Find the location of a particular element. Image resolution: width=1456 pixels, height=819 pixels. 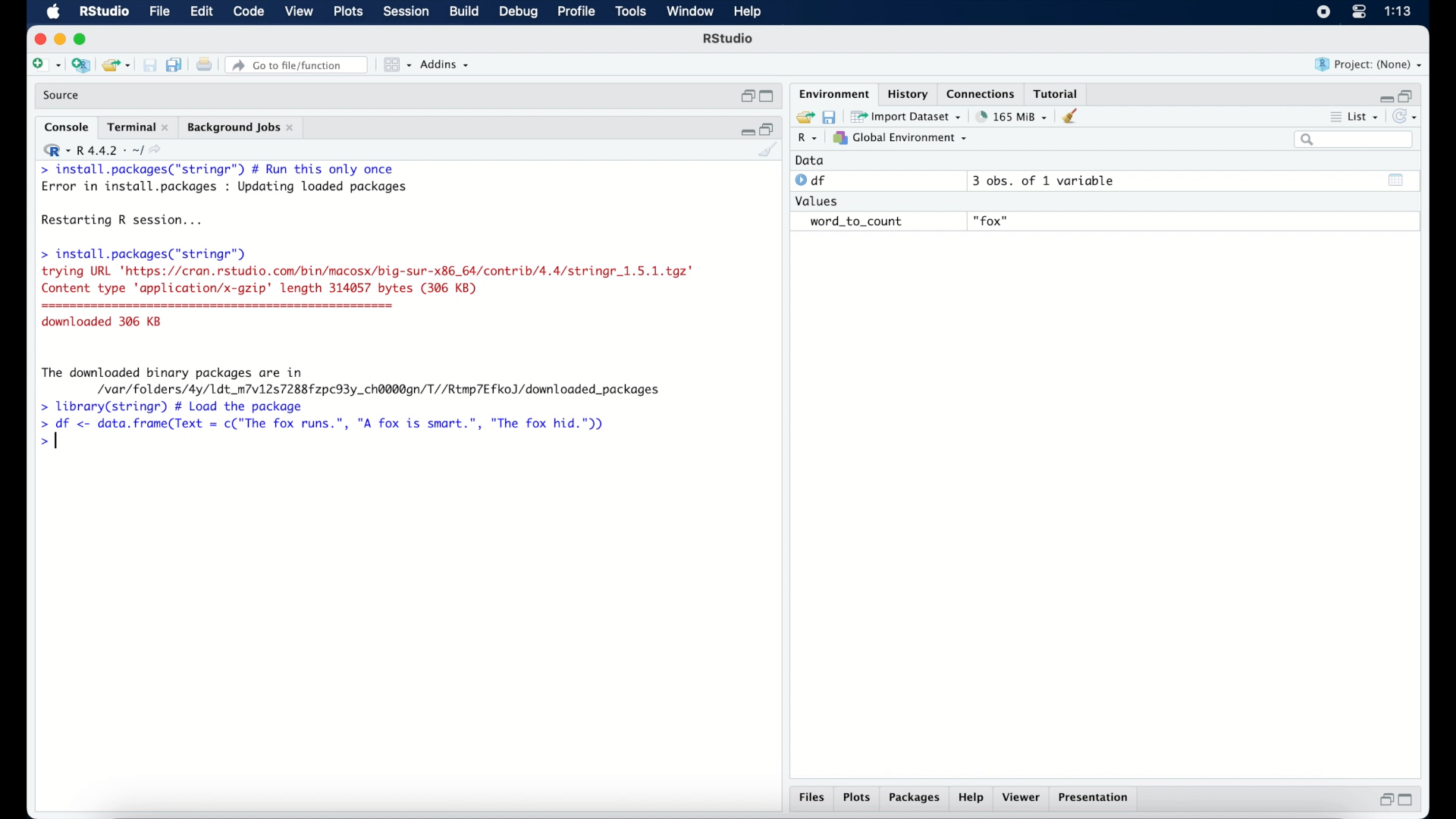

clear console is located at coordinates (769, 151).